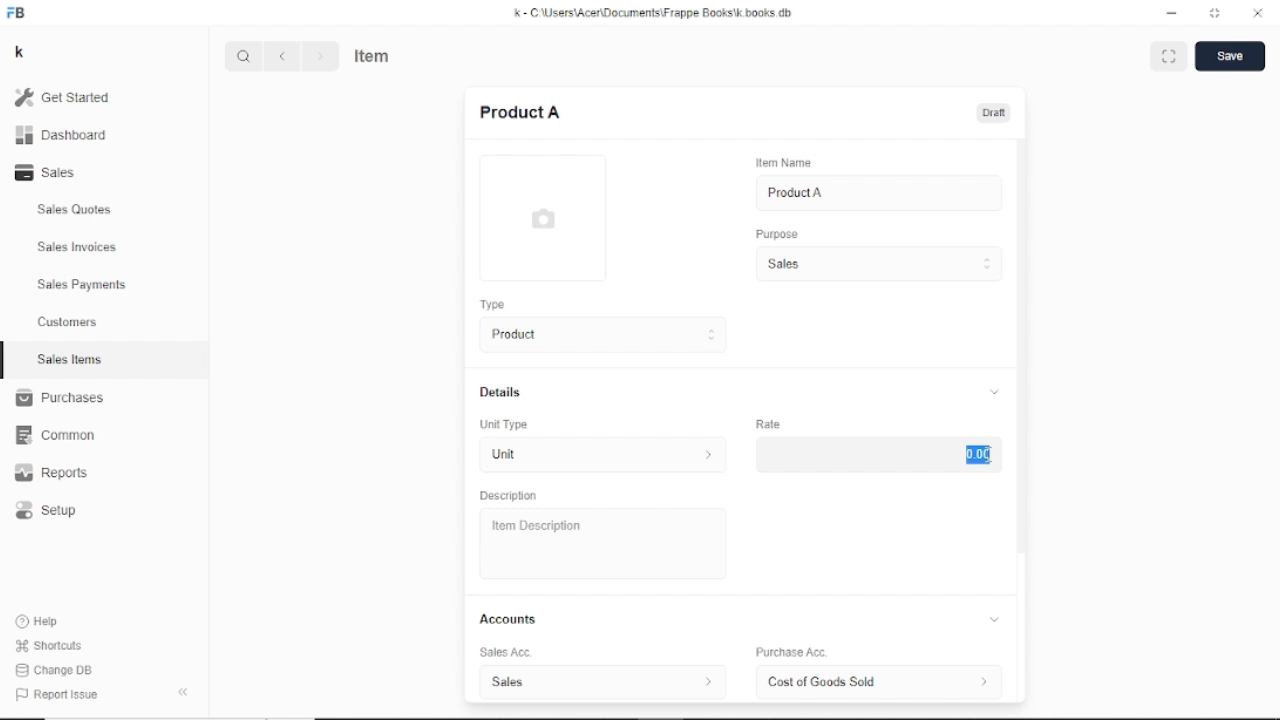 The width and height of the screenshot is (1280, 720). Describe the element at coordinates (51, 172) in the screenshot. I see `Sales` at that location.